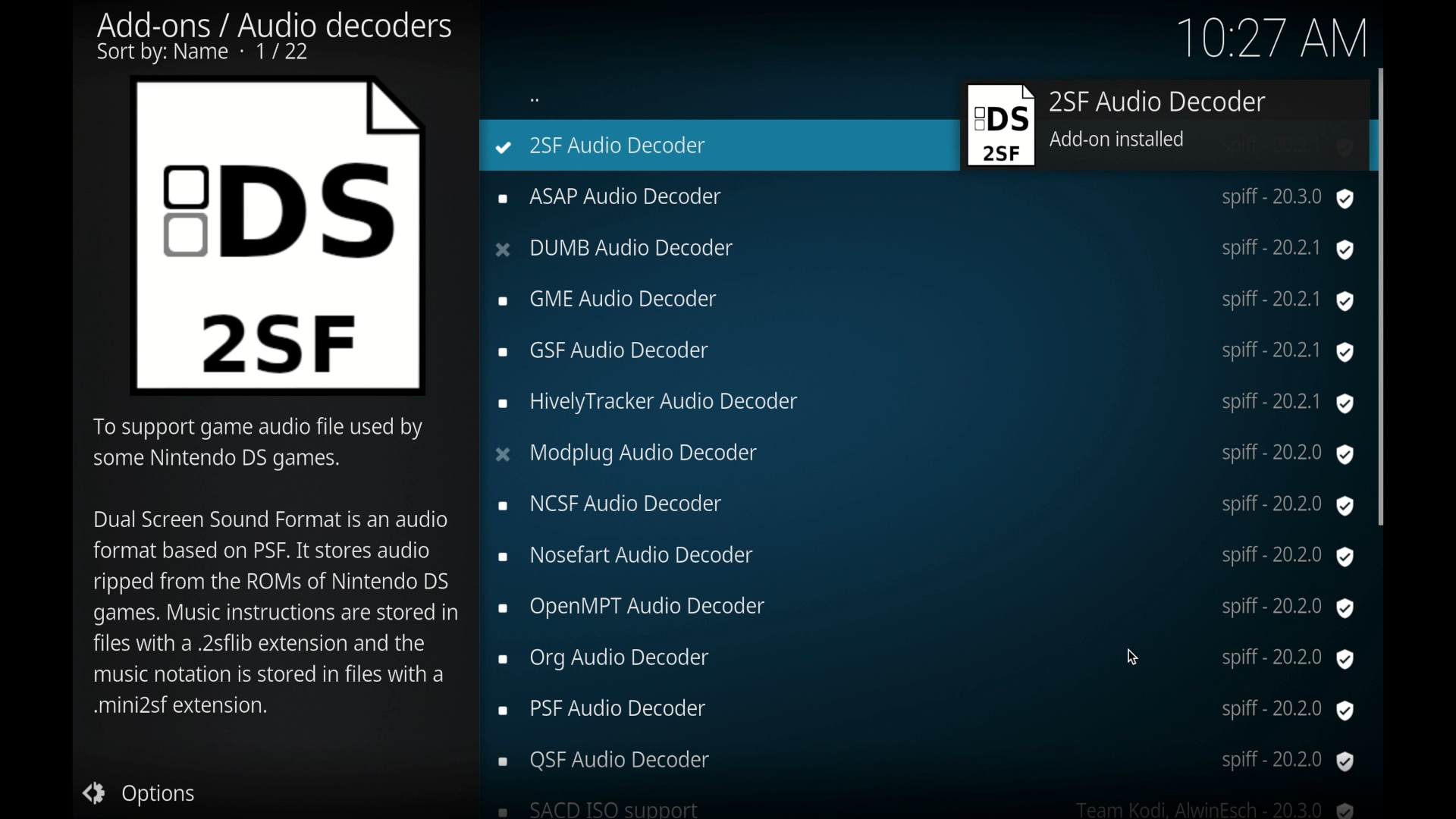  Describe the element at coordinates (927, 404) in the screenshot. I see `hively tracker` at that location.